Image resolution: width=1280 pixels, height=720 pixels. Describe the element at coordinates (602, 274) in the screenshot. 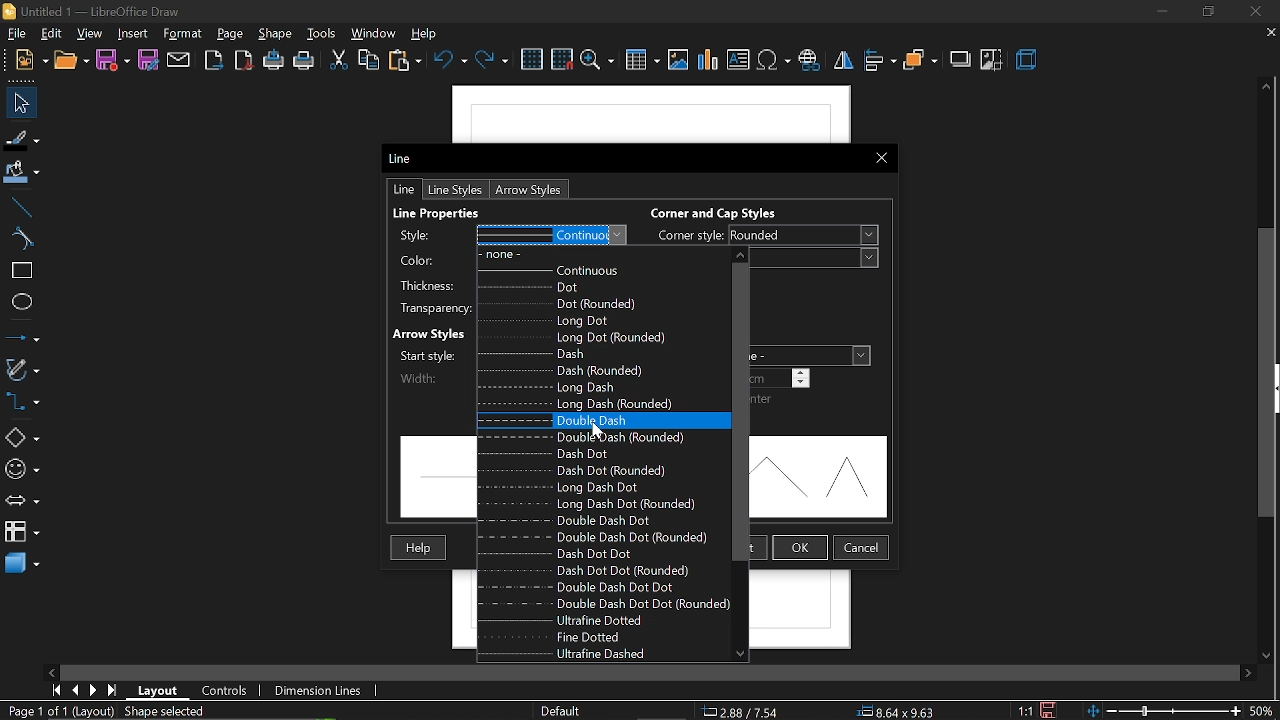

I see `Continuous` at that location.